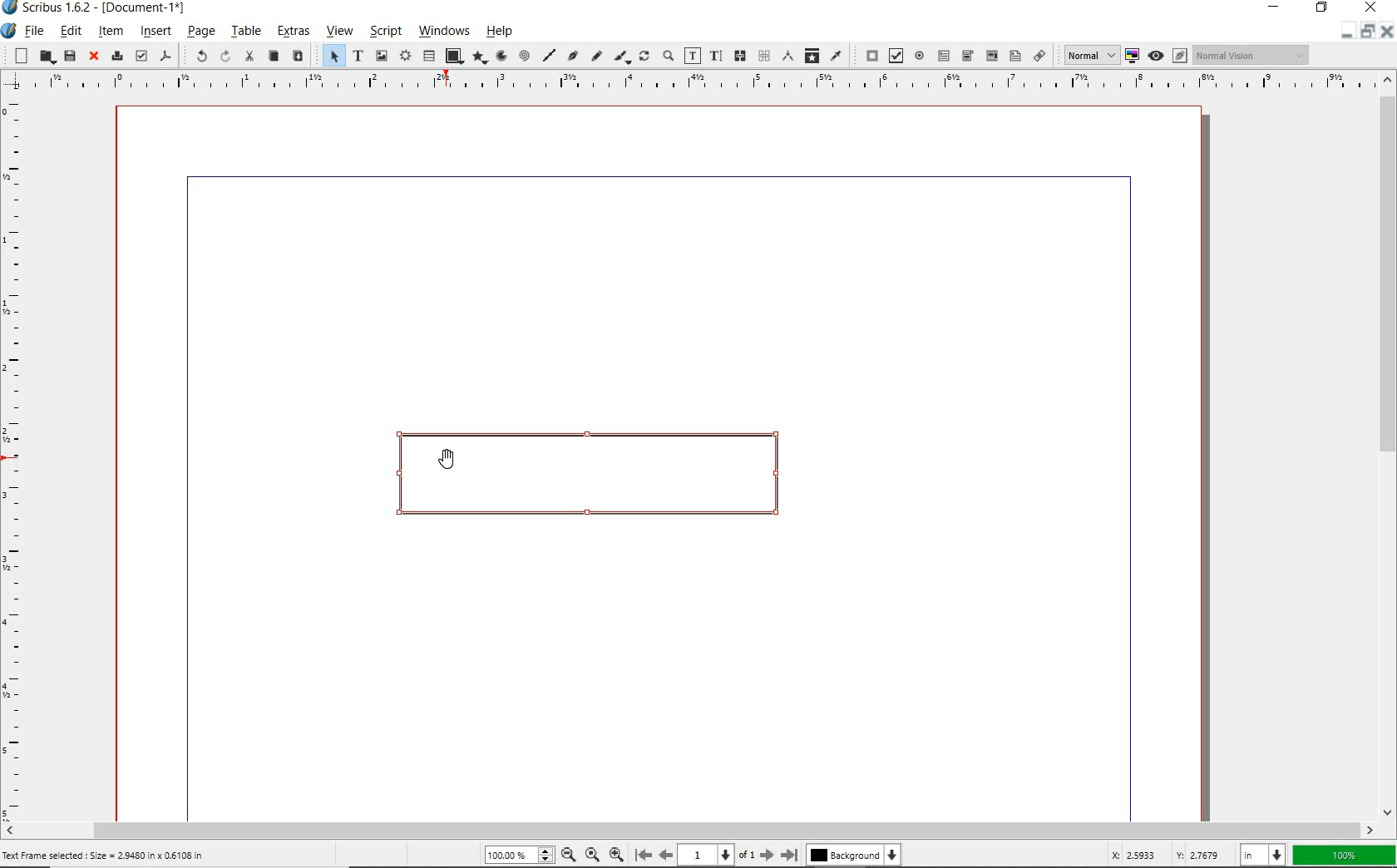 This screenshot has width=1397, height=868. What do you see at coordinates (664, 855) in the screenshot?
I see `Previous page` at bounding box center [664, 855].